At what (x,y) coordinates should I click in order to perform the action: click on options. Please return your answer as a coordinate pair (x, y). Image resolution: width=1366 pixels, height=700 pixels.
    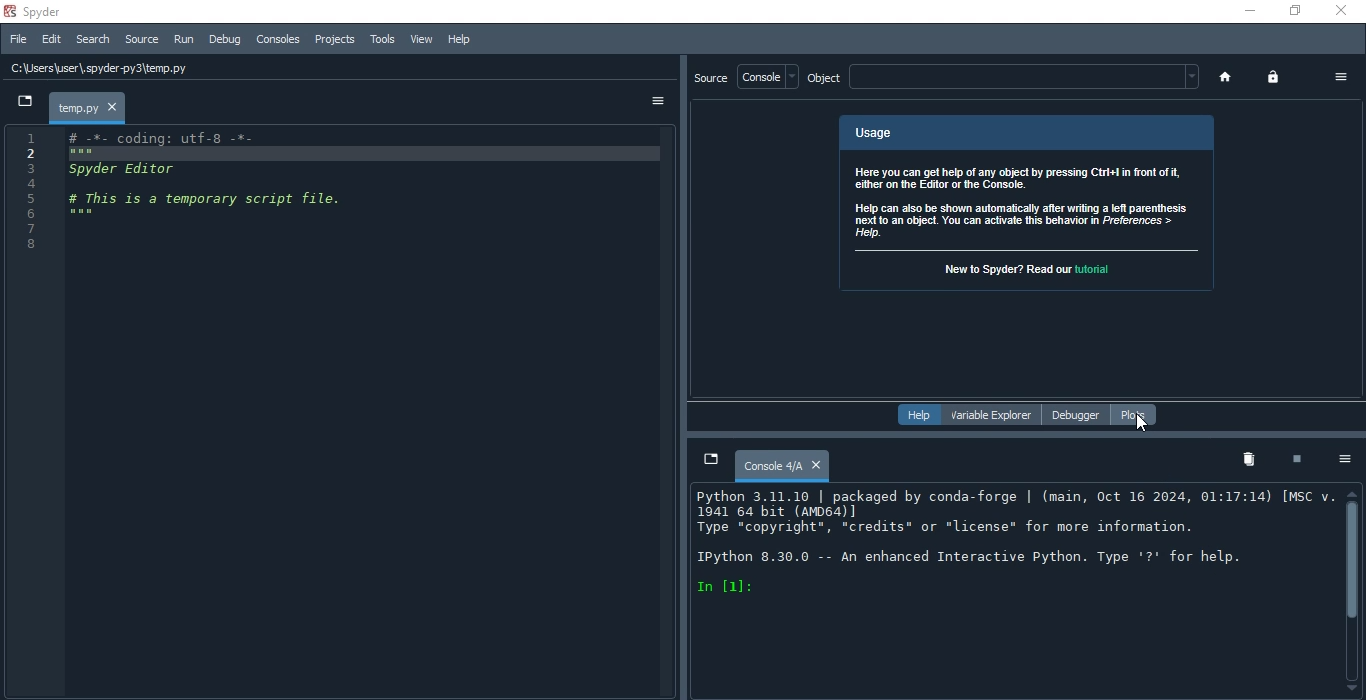
    Looking at the image, I should click on (1336, 78).